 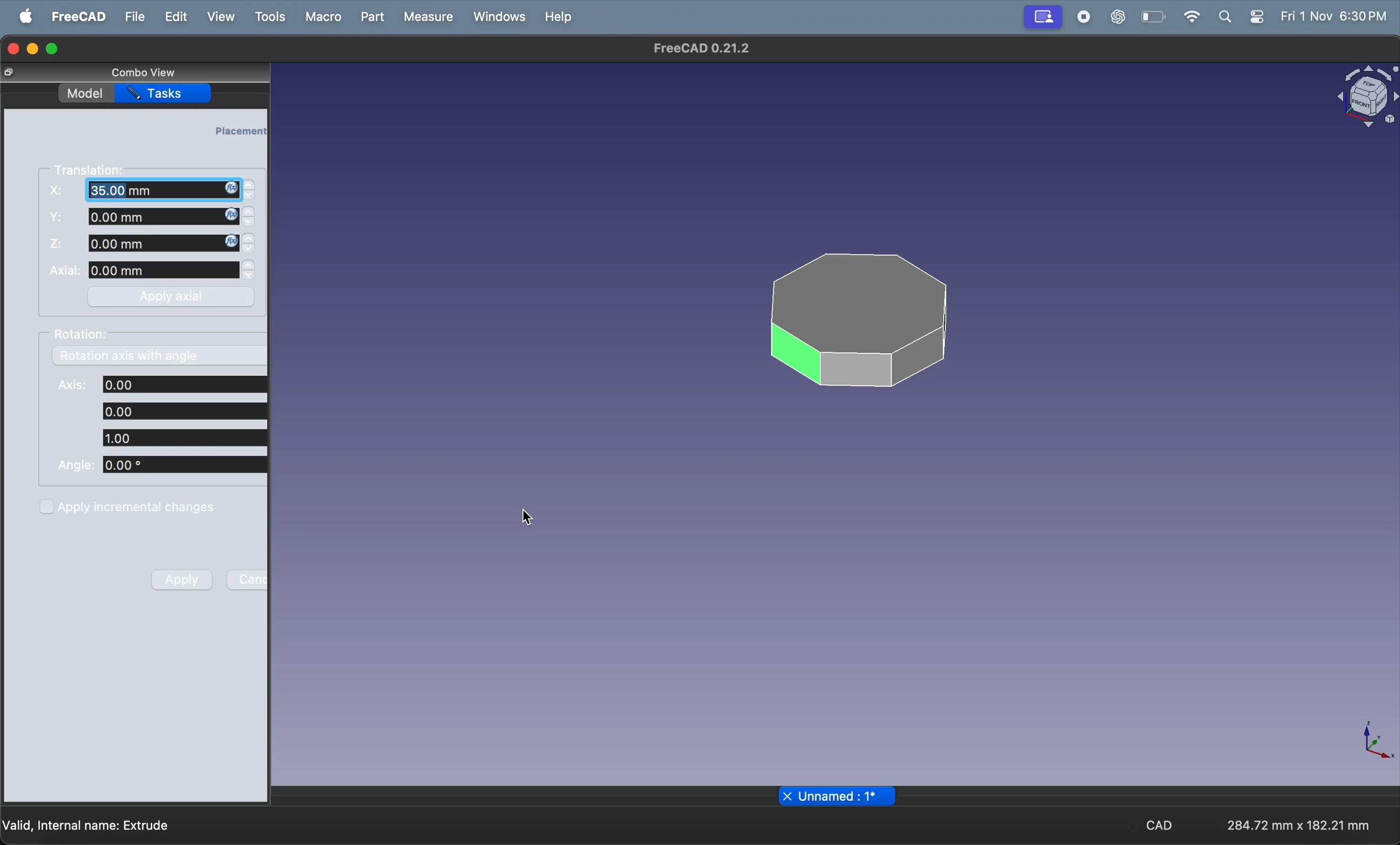 I want to click on Screensharing , so click(x=1041, y=18).